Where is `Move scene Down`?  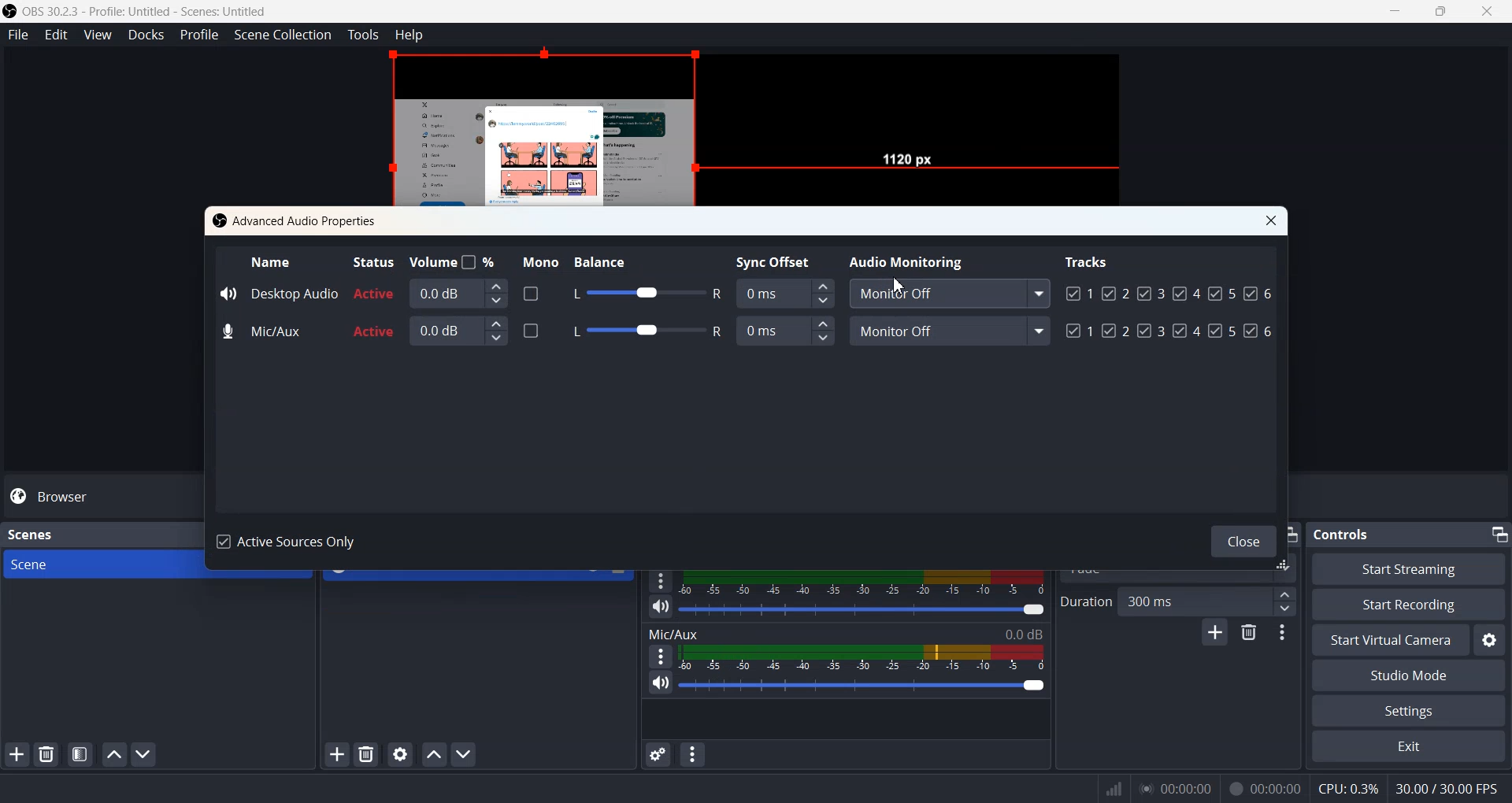
Move scene Down is located at coordinates (145, 755).